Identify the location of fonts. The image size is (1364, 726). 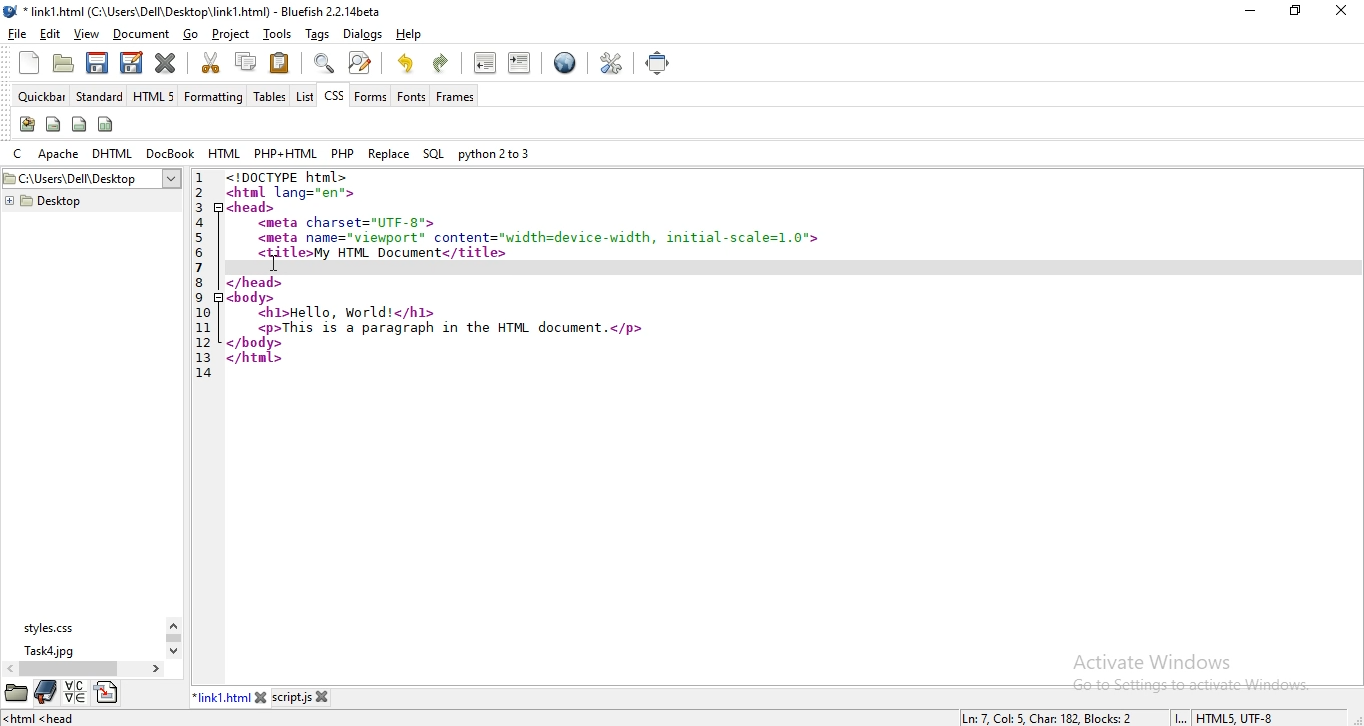
(410, 96).